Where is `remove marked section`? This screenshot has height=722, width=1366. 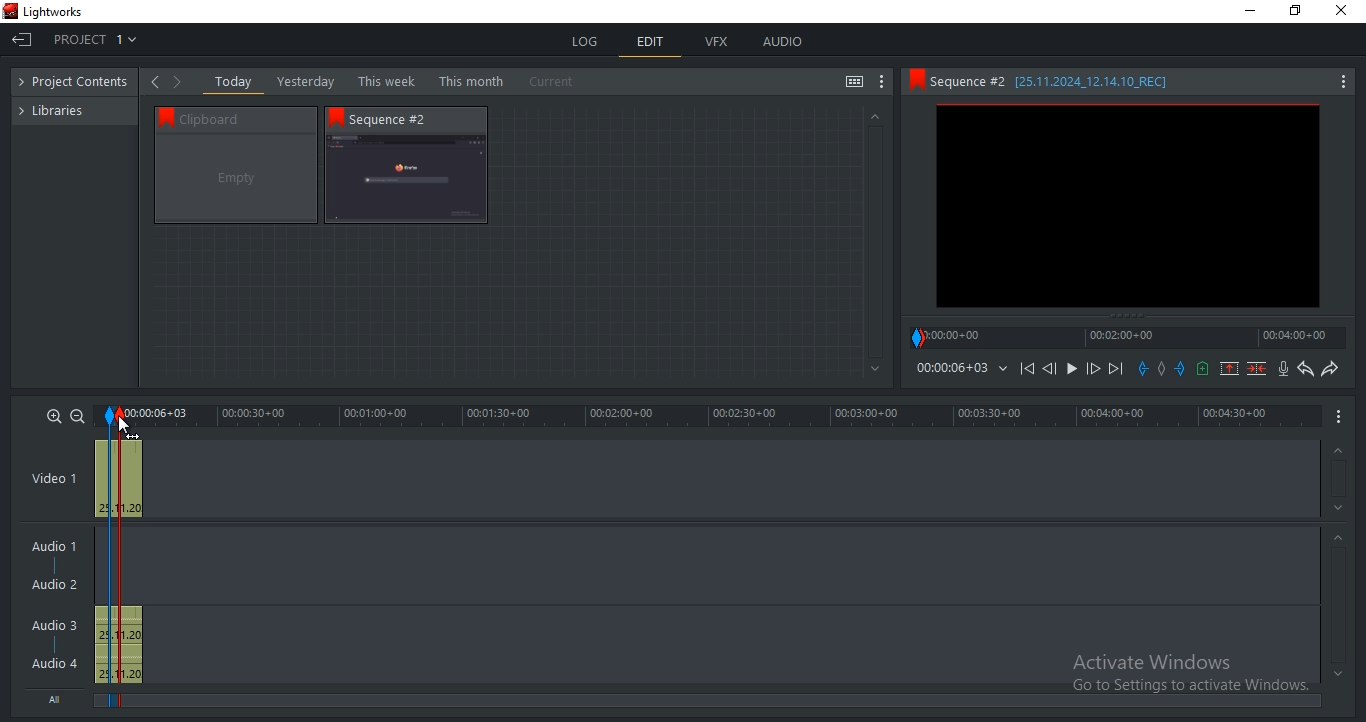 remove marked section is located at coordinates (1229, 367).